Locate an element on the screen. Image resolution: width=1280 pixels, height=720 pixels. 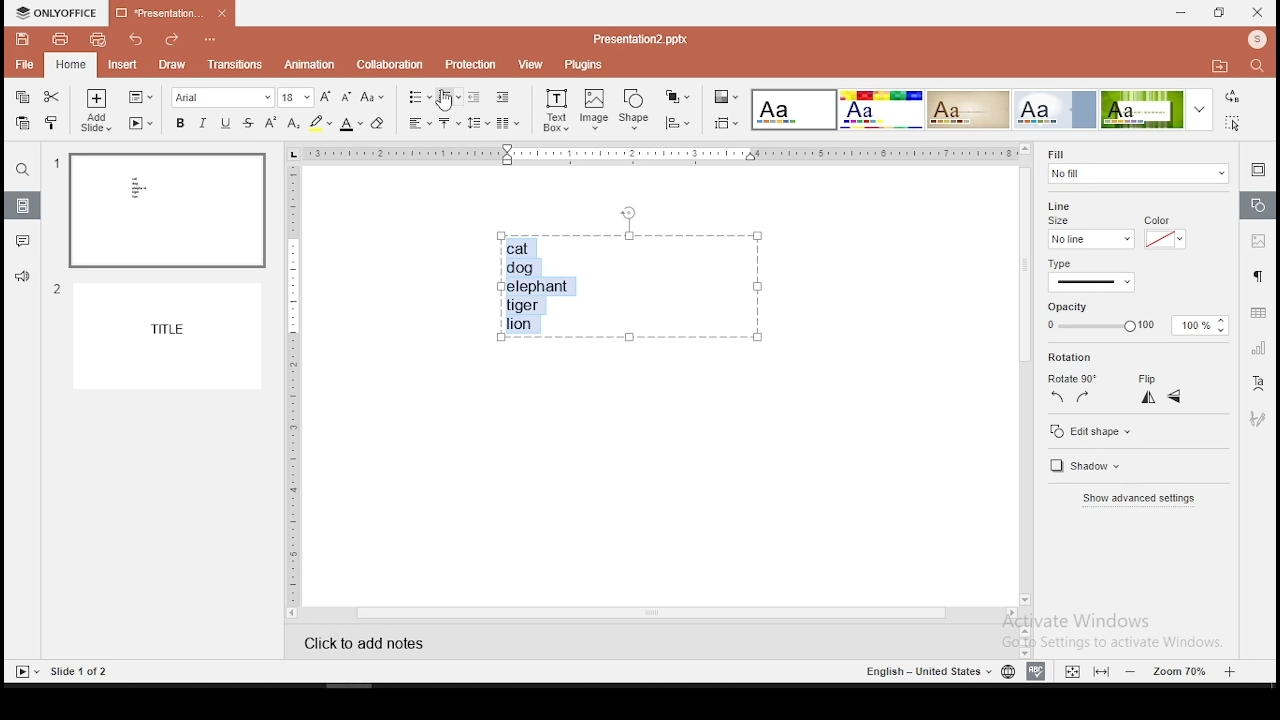
theme  is located at coordinates (795, 110).